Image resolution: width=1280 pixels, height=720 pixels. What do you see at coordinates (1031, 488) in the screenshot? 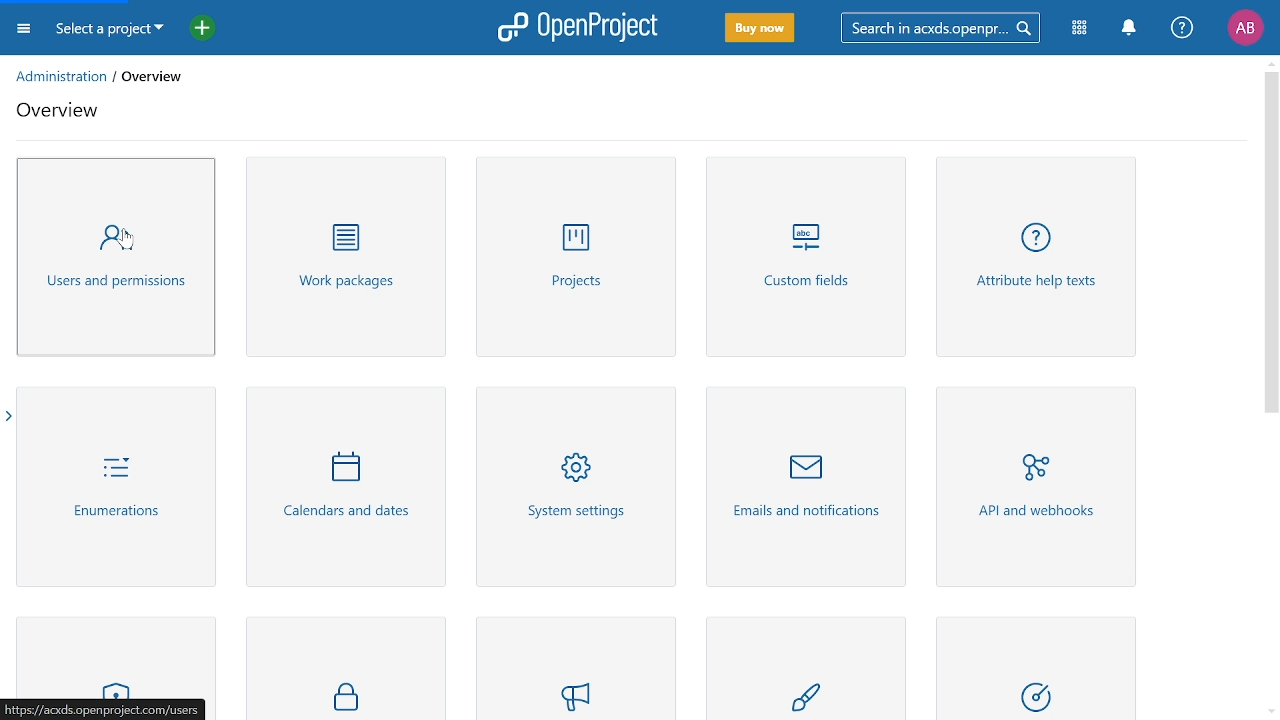
I see `API and webhooks` at bounding box center [1031, 488].